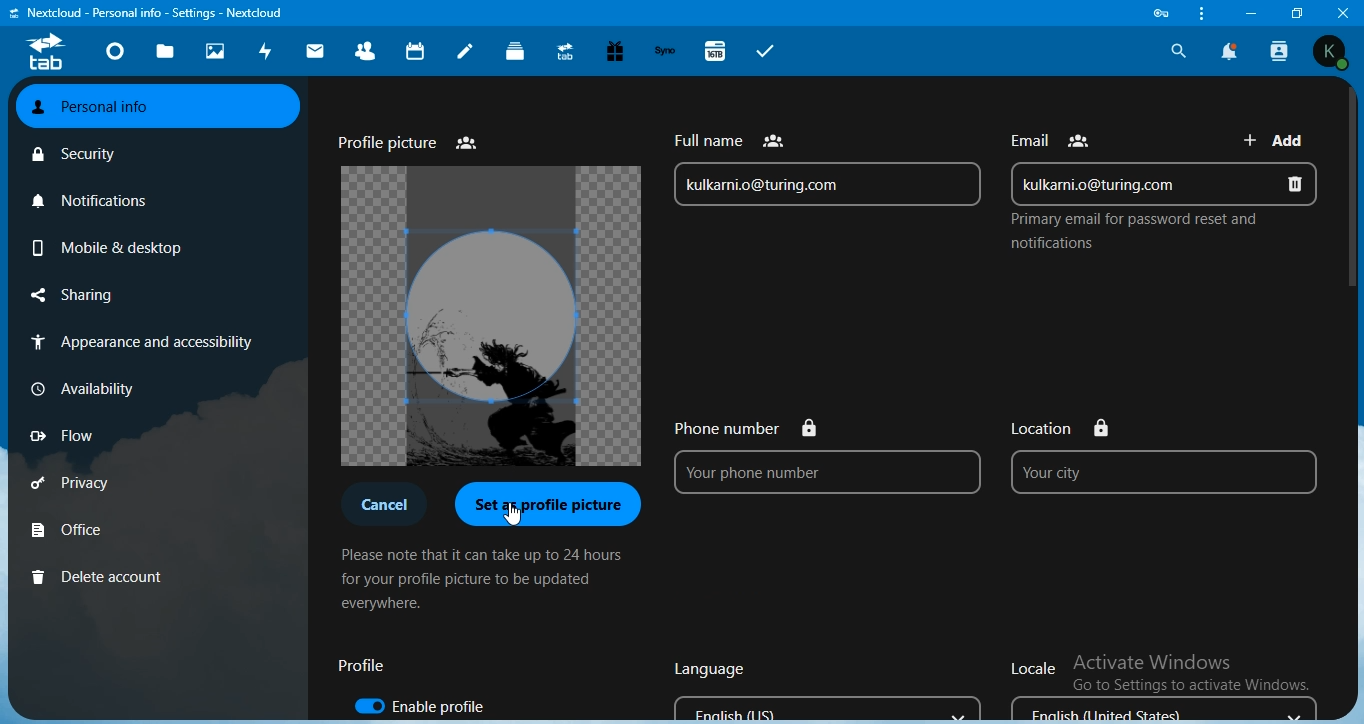 This screenshot has width=1364, height=724. What do you see at coordinates (823, 687) in the screenshot?
I see `language` at bounding box center [823, 687].